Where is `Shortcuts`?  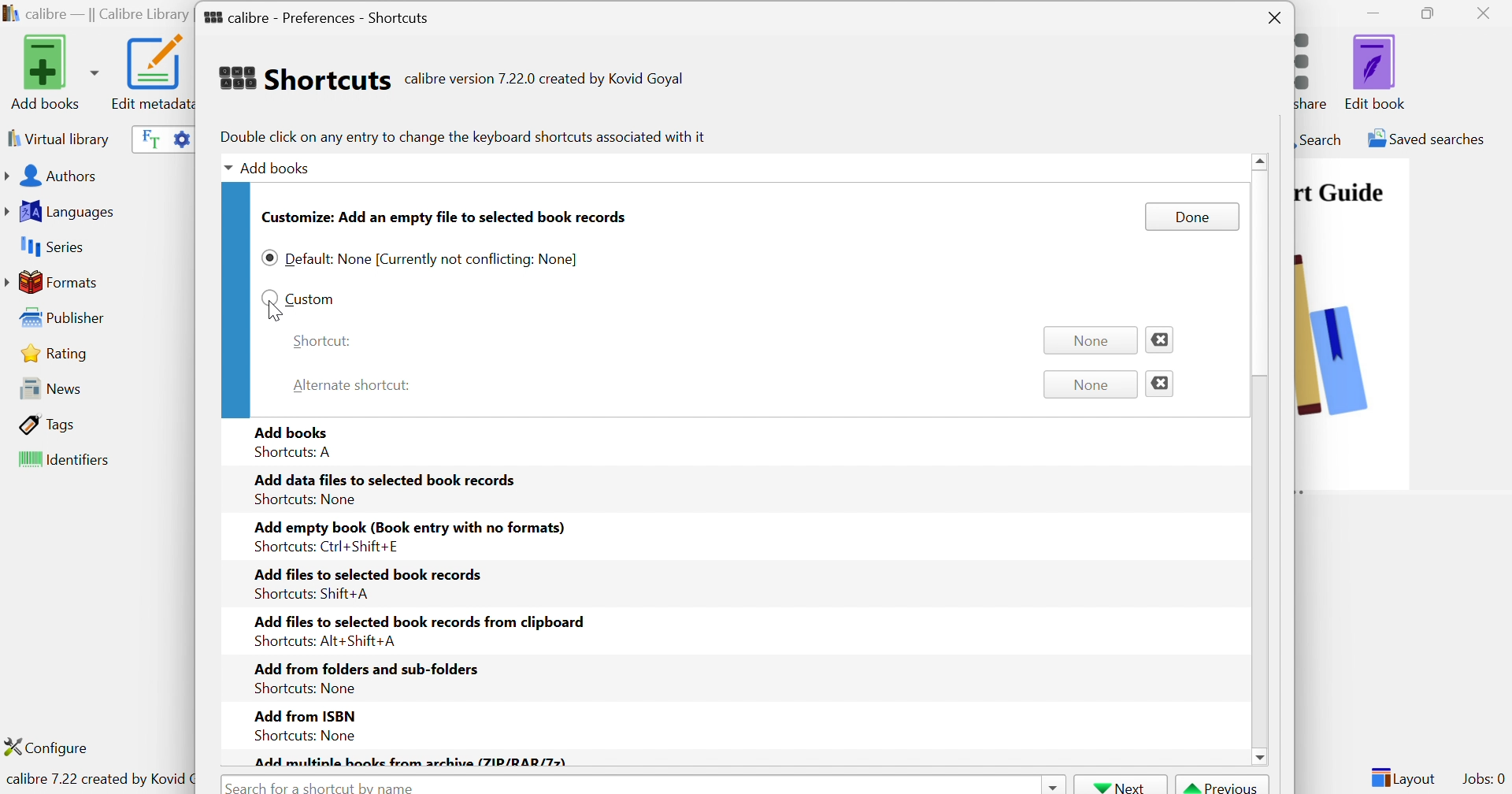 Shortcuts is located at coordinates (303, 78).